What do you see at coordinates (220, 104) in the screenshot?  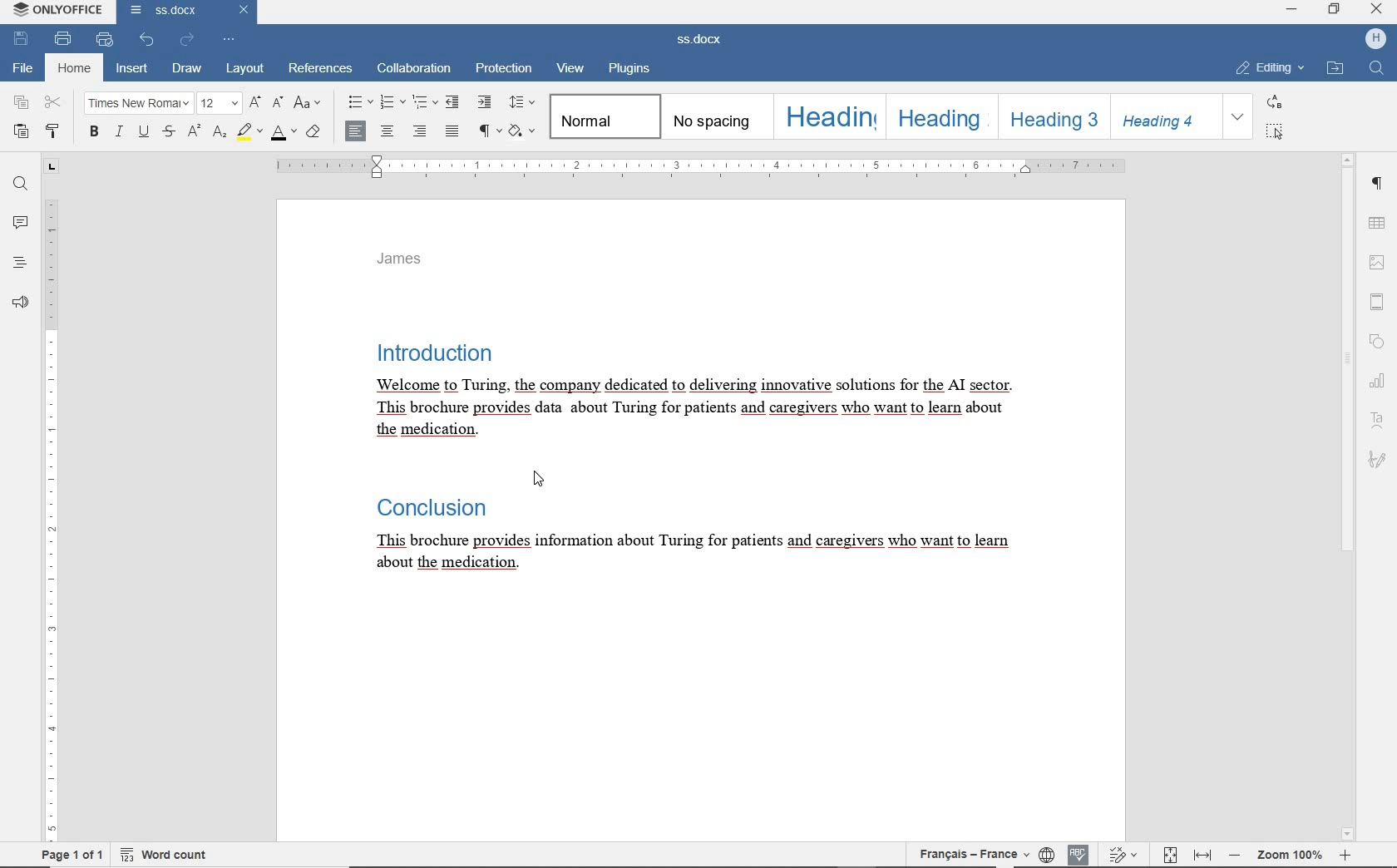 I see `FONT SIZE` at bounding box center [220, 104].